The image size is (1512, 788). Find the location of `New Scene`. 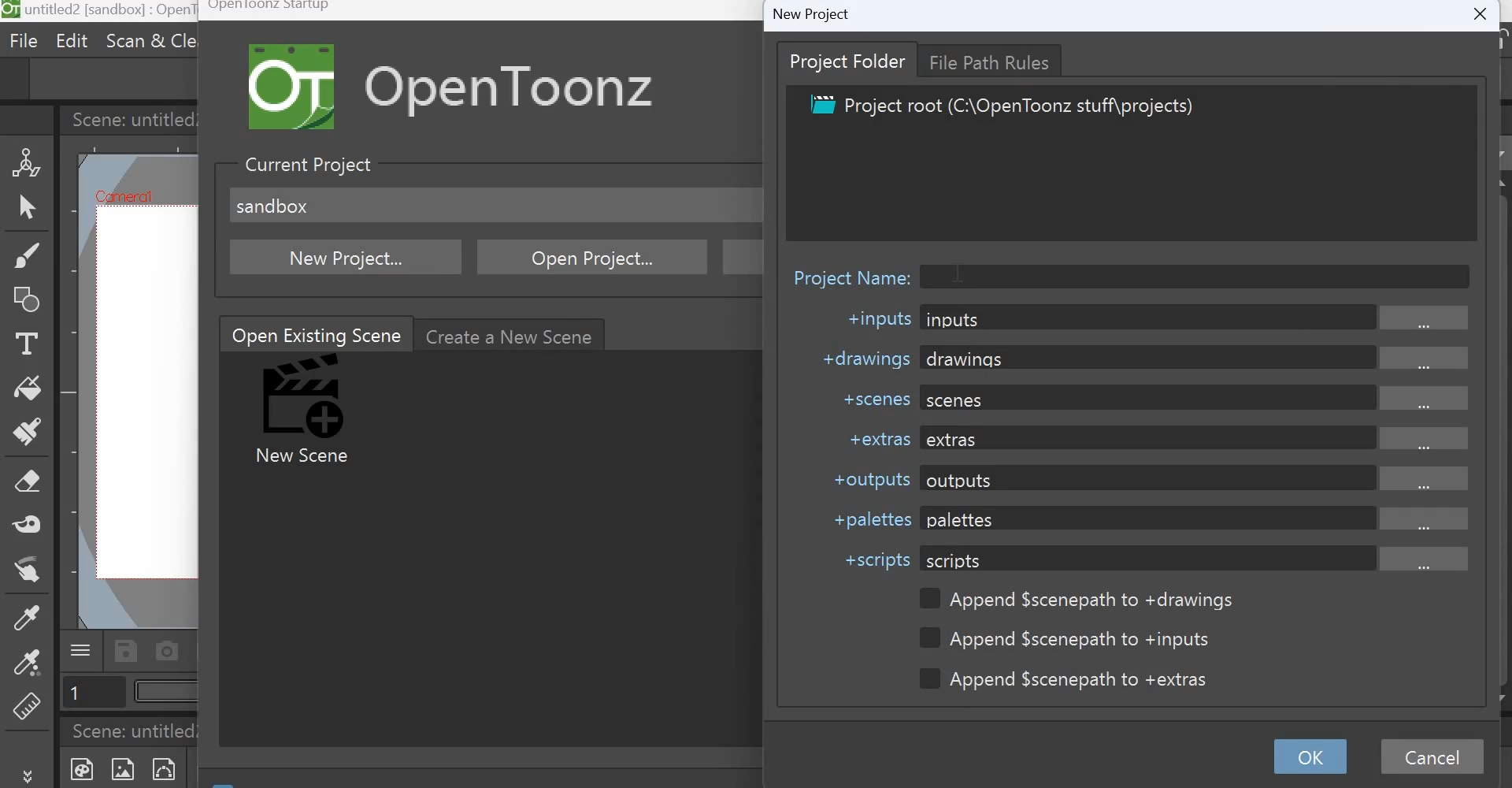

New Scene is located at coordinates (307, 412).